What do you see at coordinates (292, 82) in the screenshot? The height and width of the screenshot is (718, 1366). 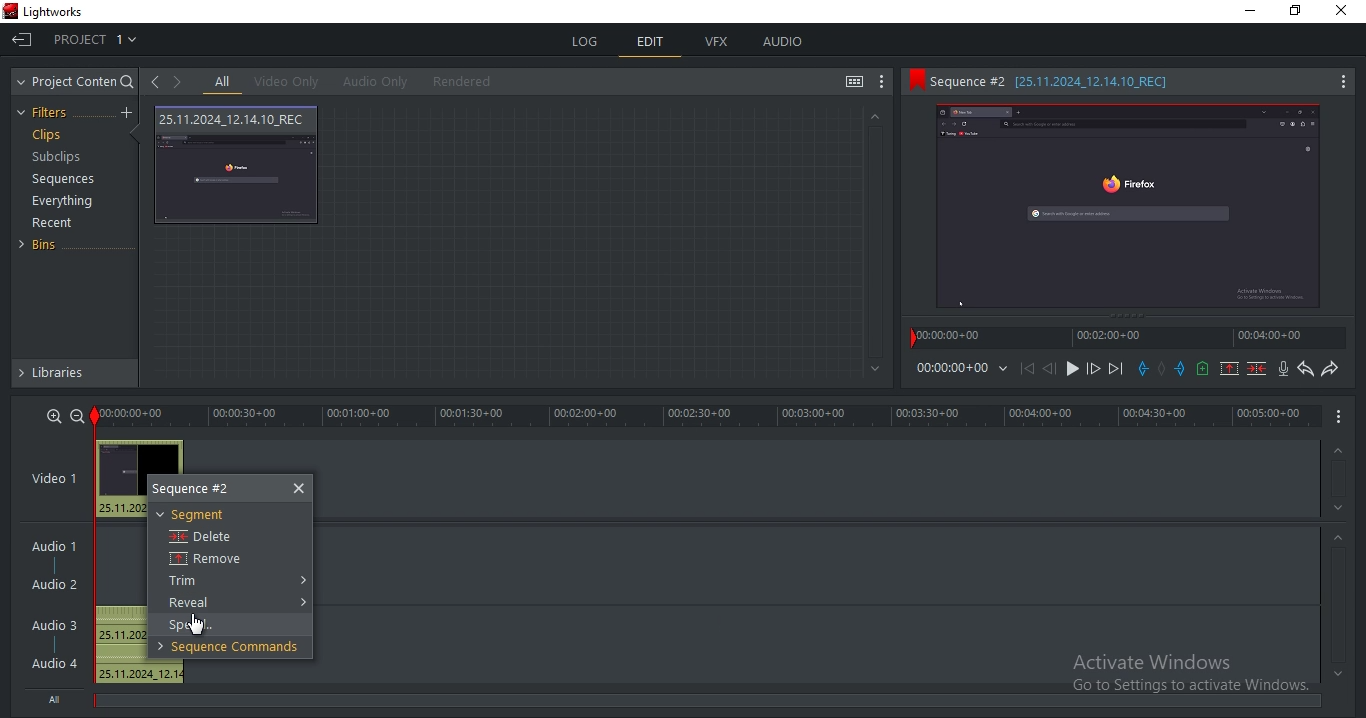 I see `video only` at bounding box center [292, 82].